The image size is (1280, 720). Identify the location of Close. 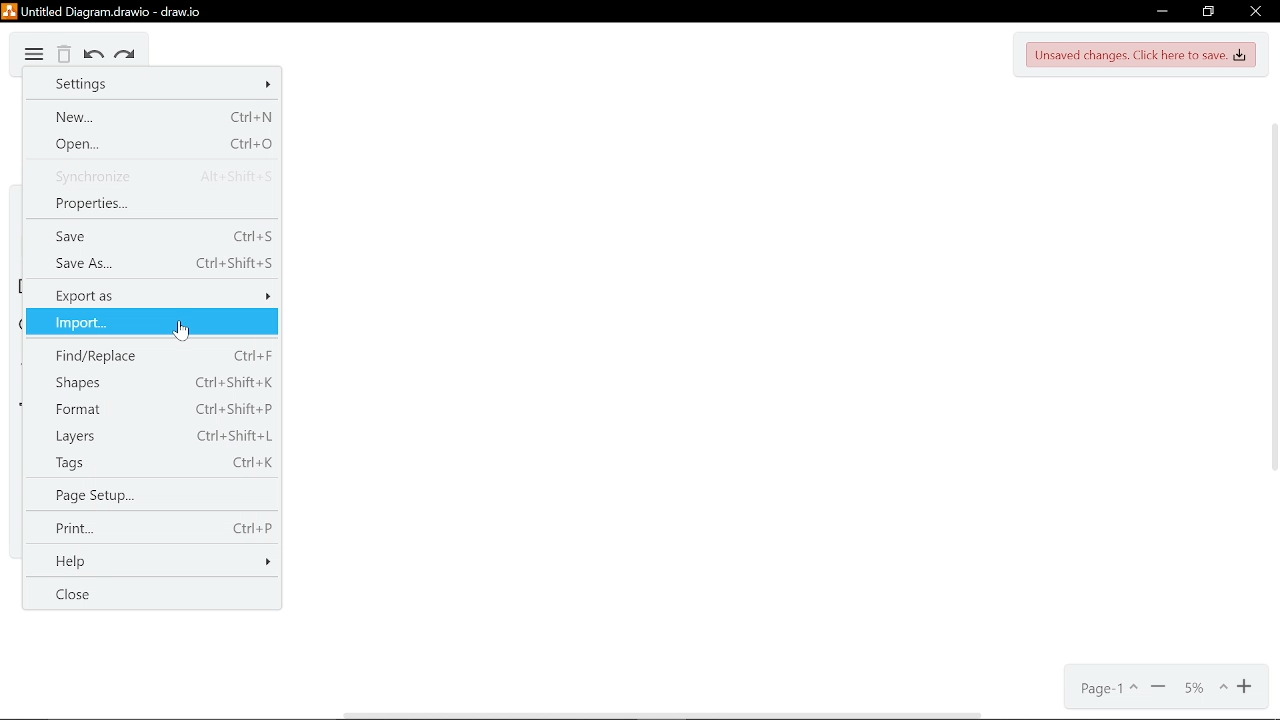
(1257, 11).